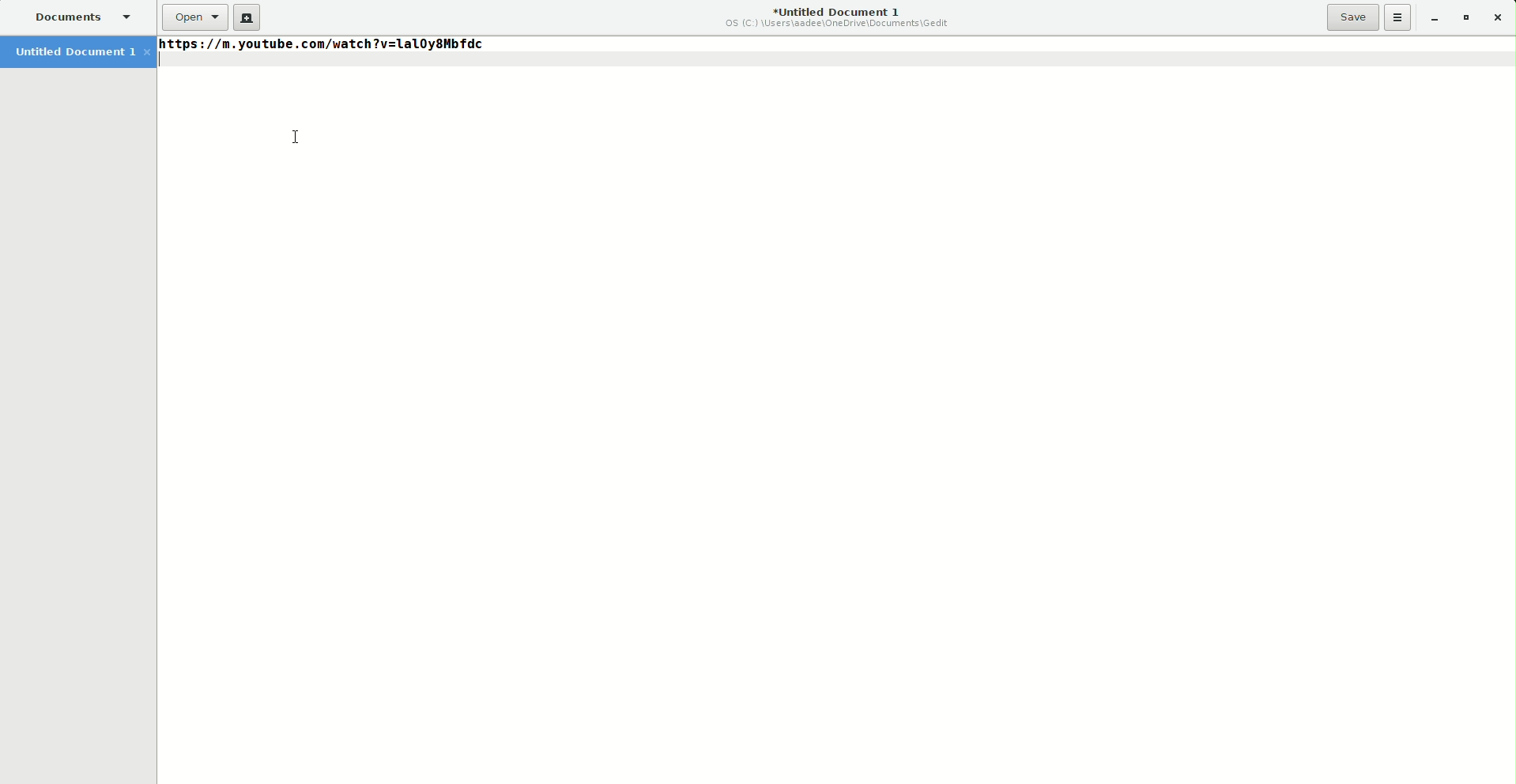  What do you see at coordinates (1499, 18) in the screenshot?
I see `Close` at bounding box center [1499, 18].